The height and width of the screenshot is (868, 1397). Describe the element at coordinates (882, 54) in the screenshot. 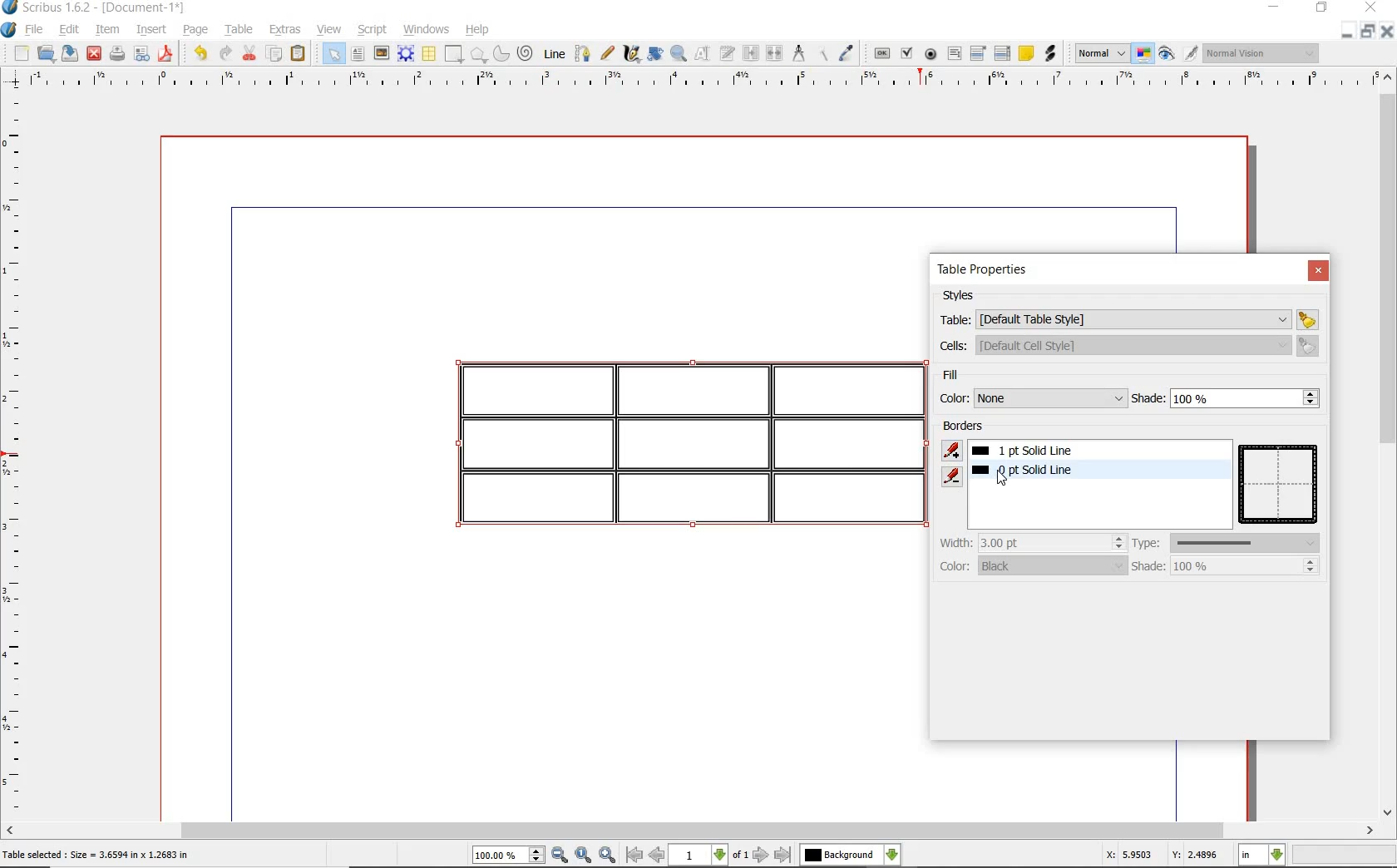

I see `pdf push button` at that location.